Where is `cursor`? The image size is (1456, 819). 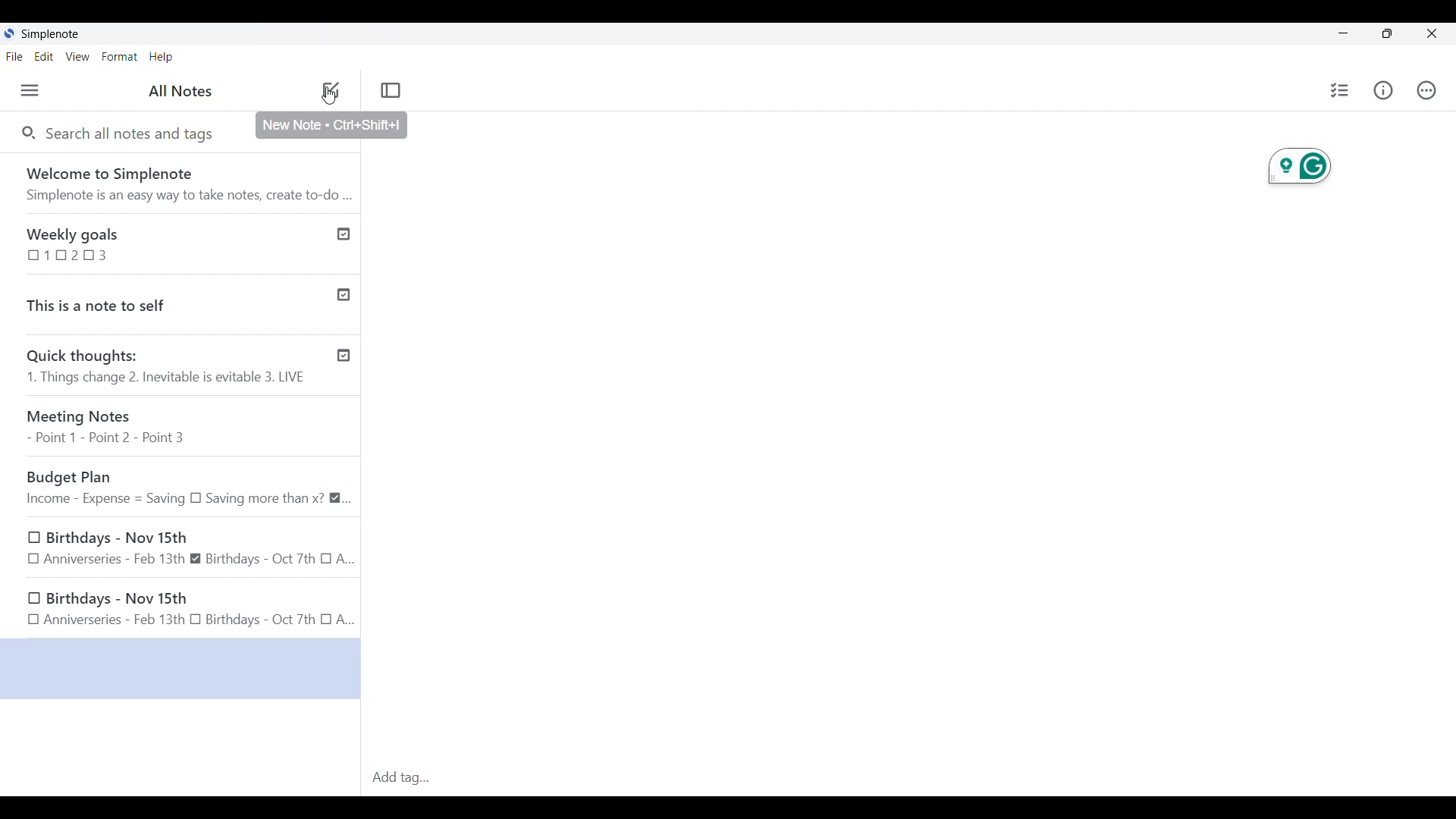
cursor is located at coordinates (327, 97).